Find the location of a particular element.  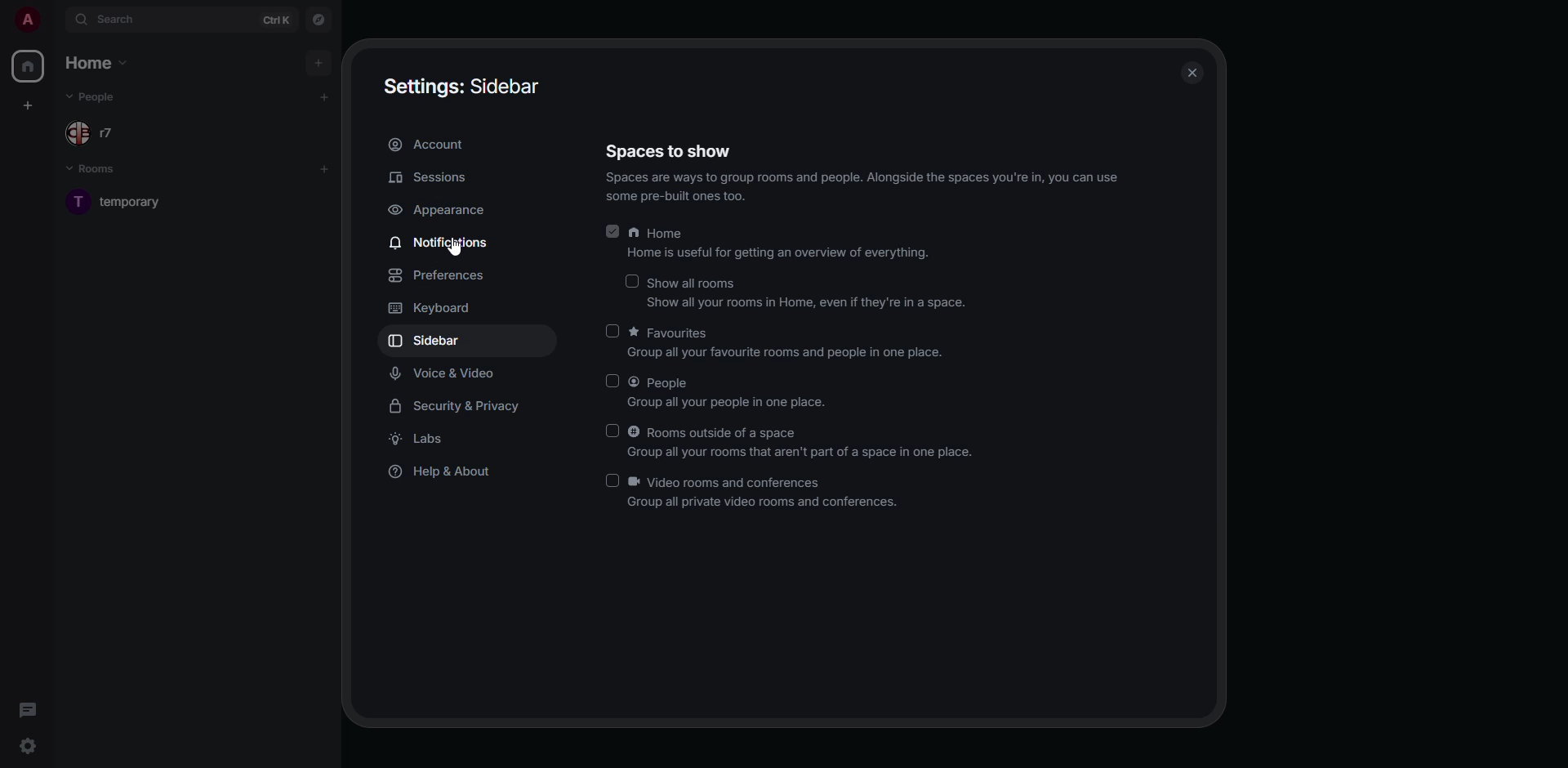

rooms outside of a space is located at coordinates (805, 441).